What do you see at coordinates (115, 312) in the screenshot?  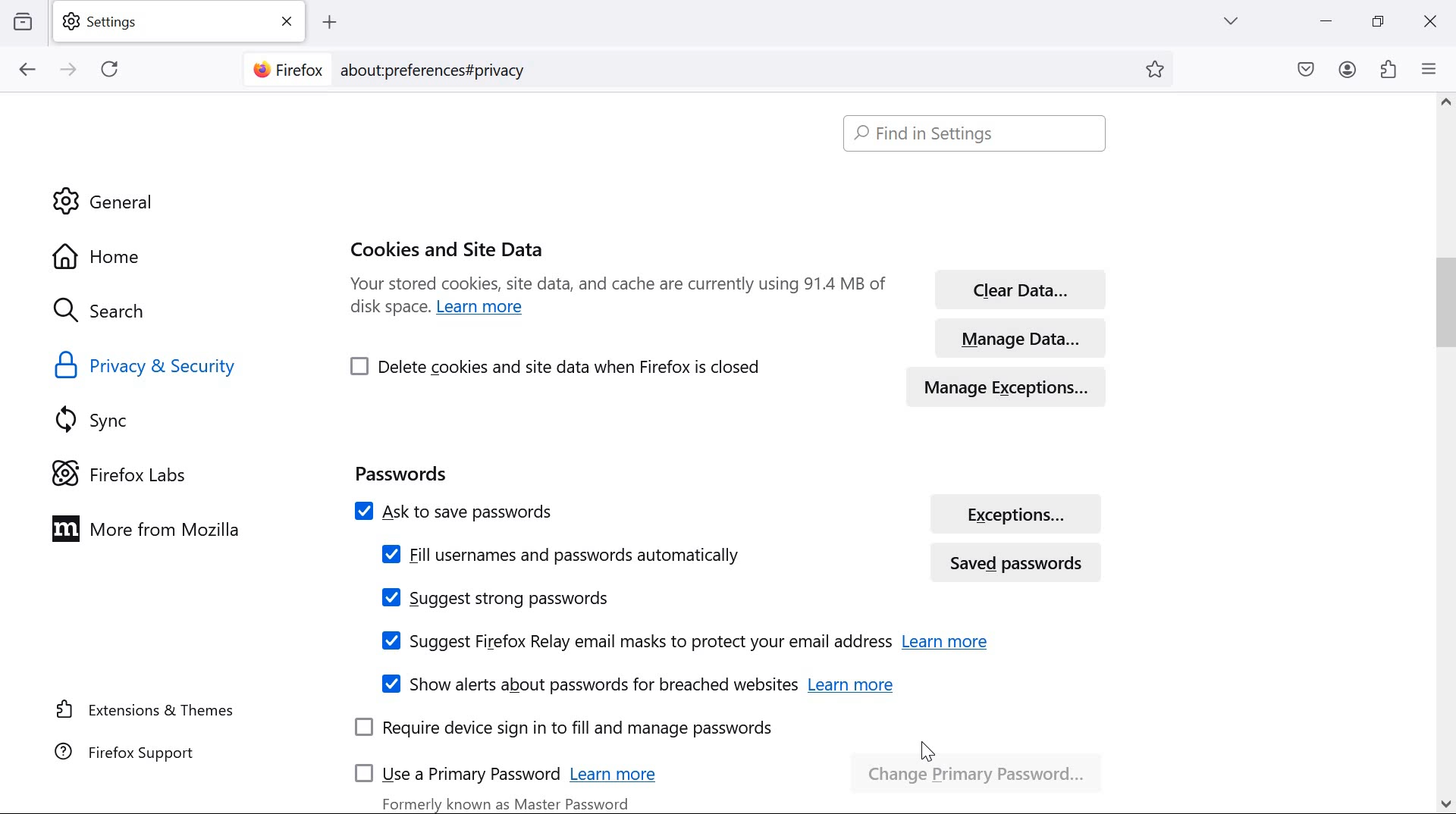 I see `search` at bounding box center [115, 312].